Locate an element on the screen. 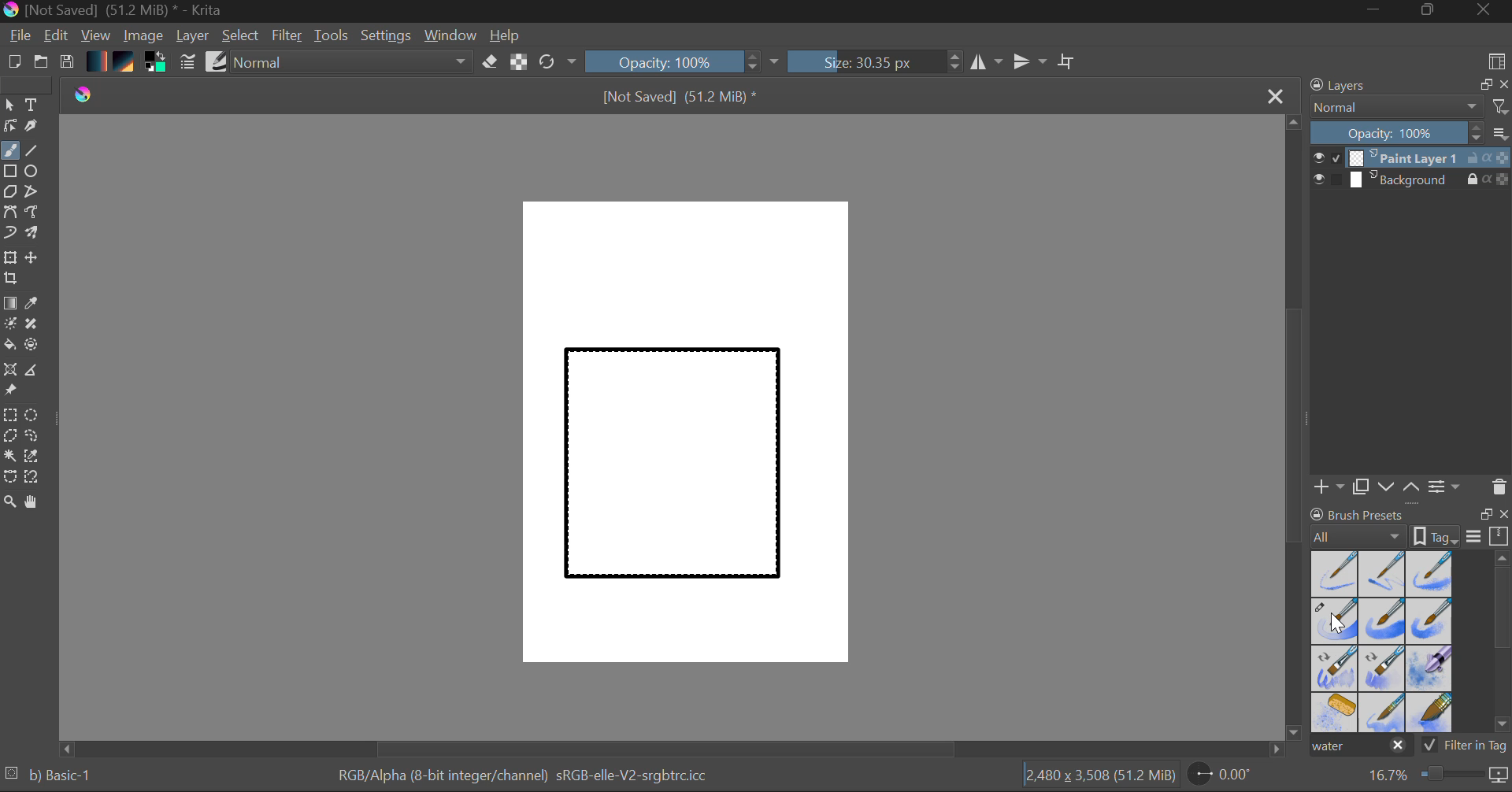 This screenshot has height=792, width=1512. Water C - Special Splats is located at coordinates (1336, 712).